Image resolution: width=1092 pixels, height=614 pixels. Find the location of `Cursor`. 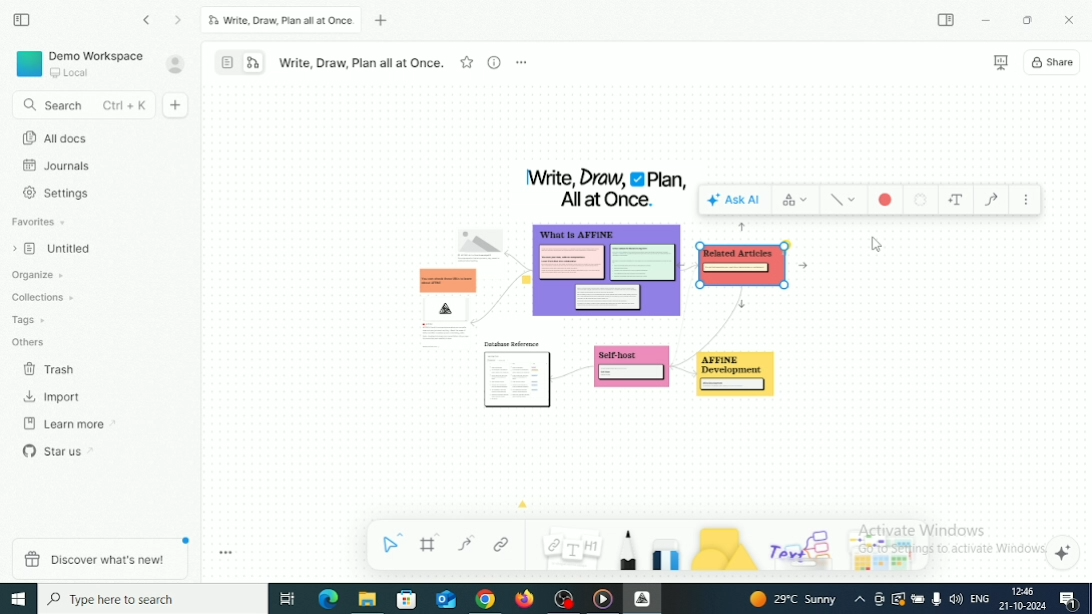

Cursor is located at coordinates (878, 246).